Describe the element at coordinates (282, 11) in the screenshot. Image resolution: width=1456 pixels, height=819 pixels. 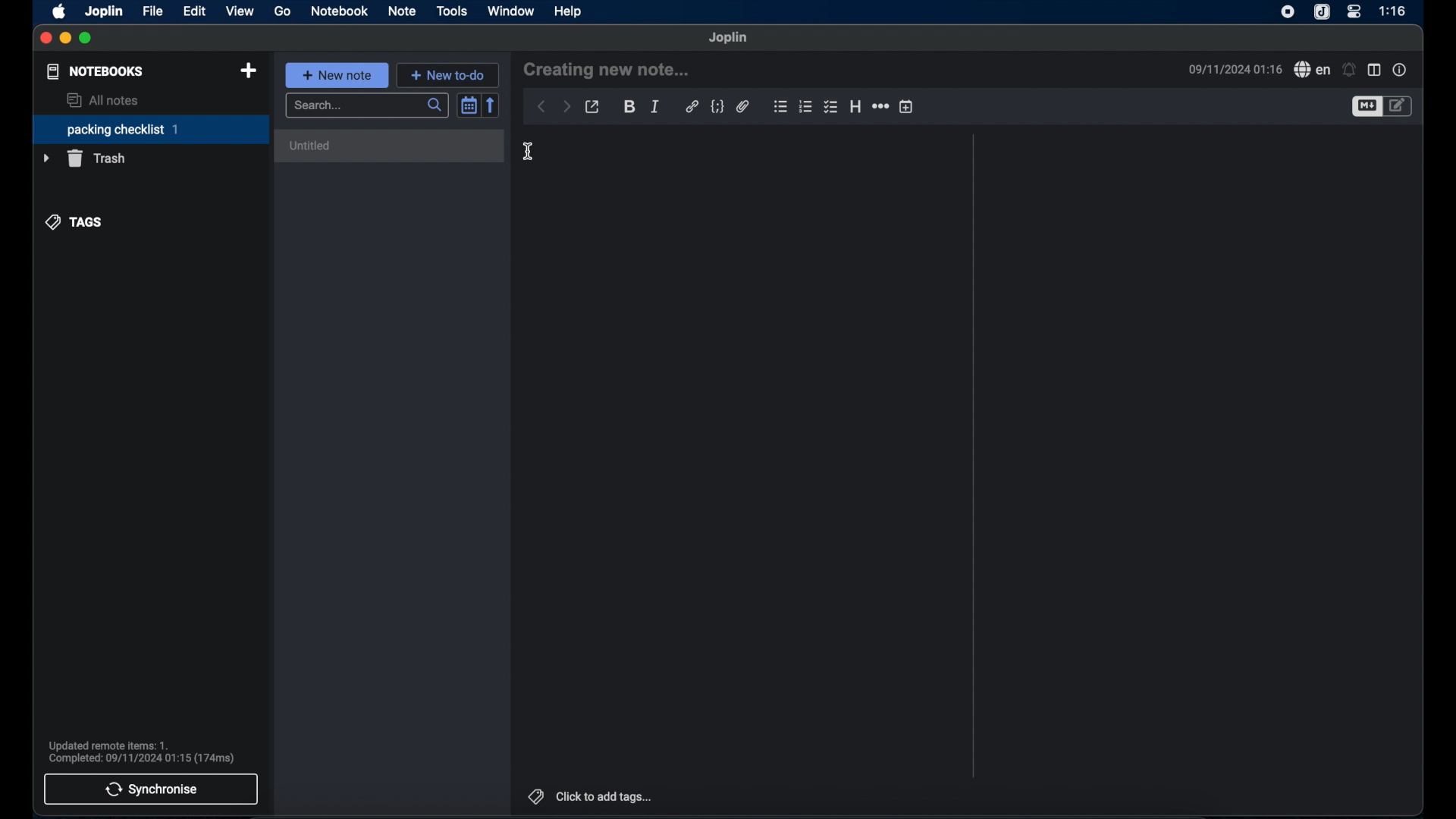
I see `go` at that location.